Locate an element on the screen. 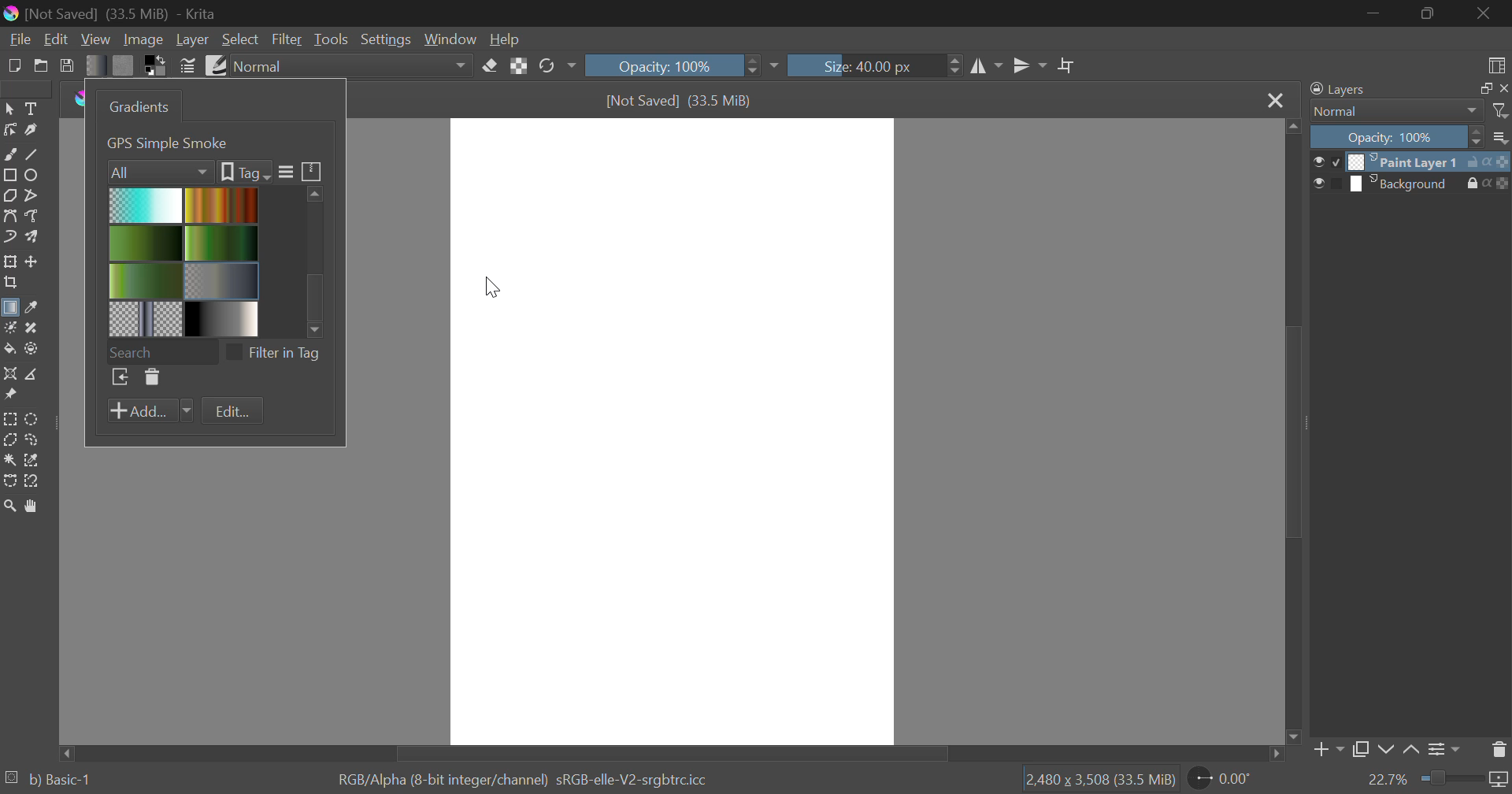  Normal is located at coordinates (1388, 111).